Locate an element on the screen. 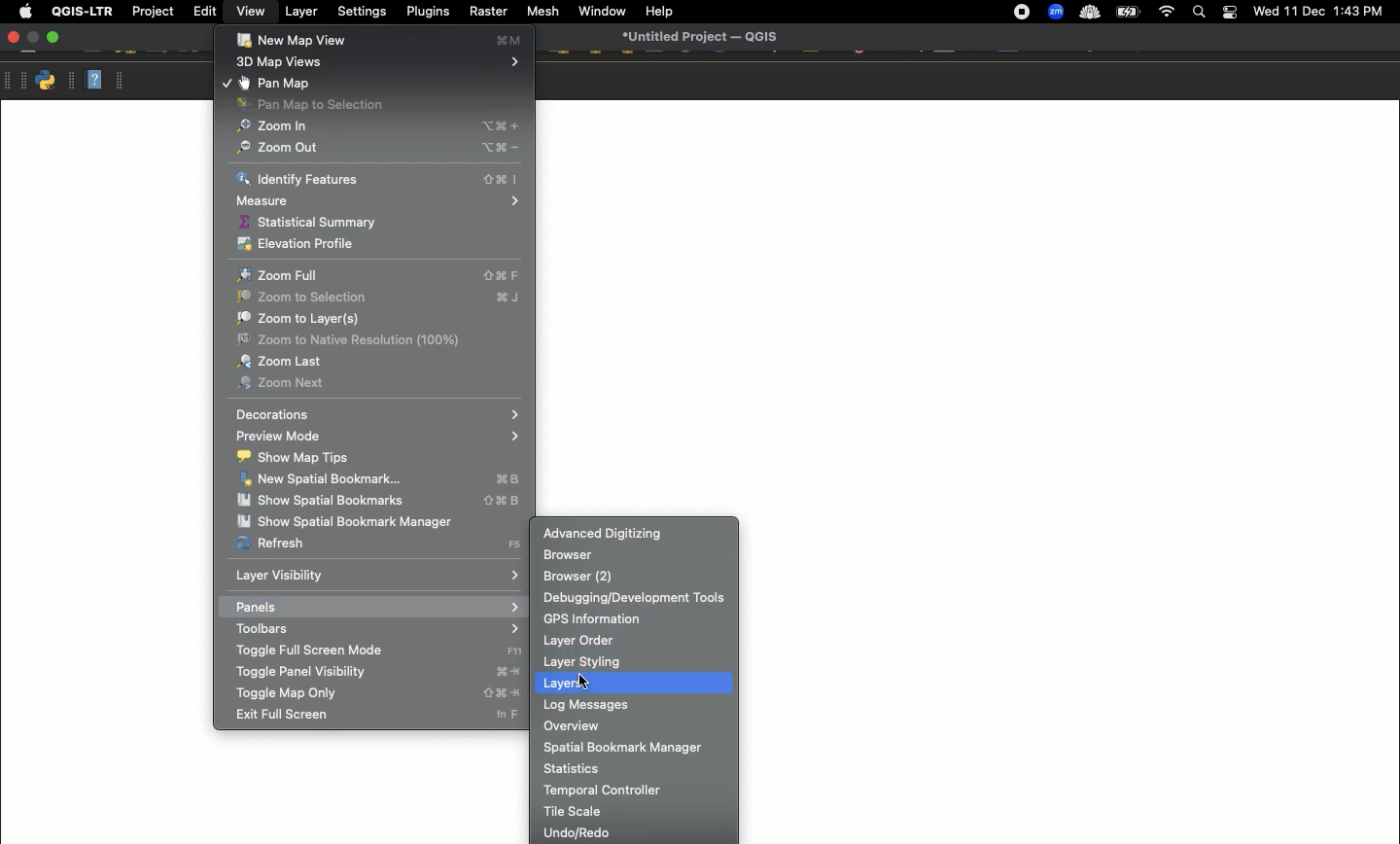  Undo redo is located at coordinates (634, 832).